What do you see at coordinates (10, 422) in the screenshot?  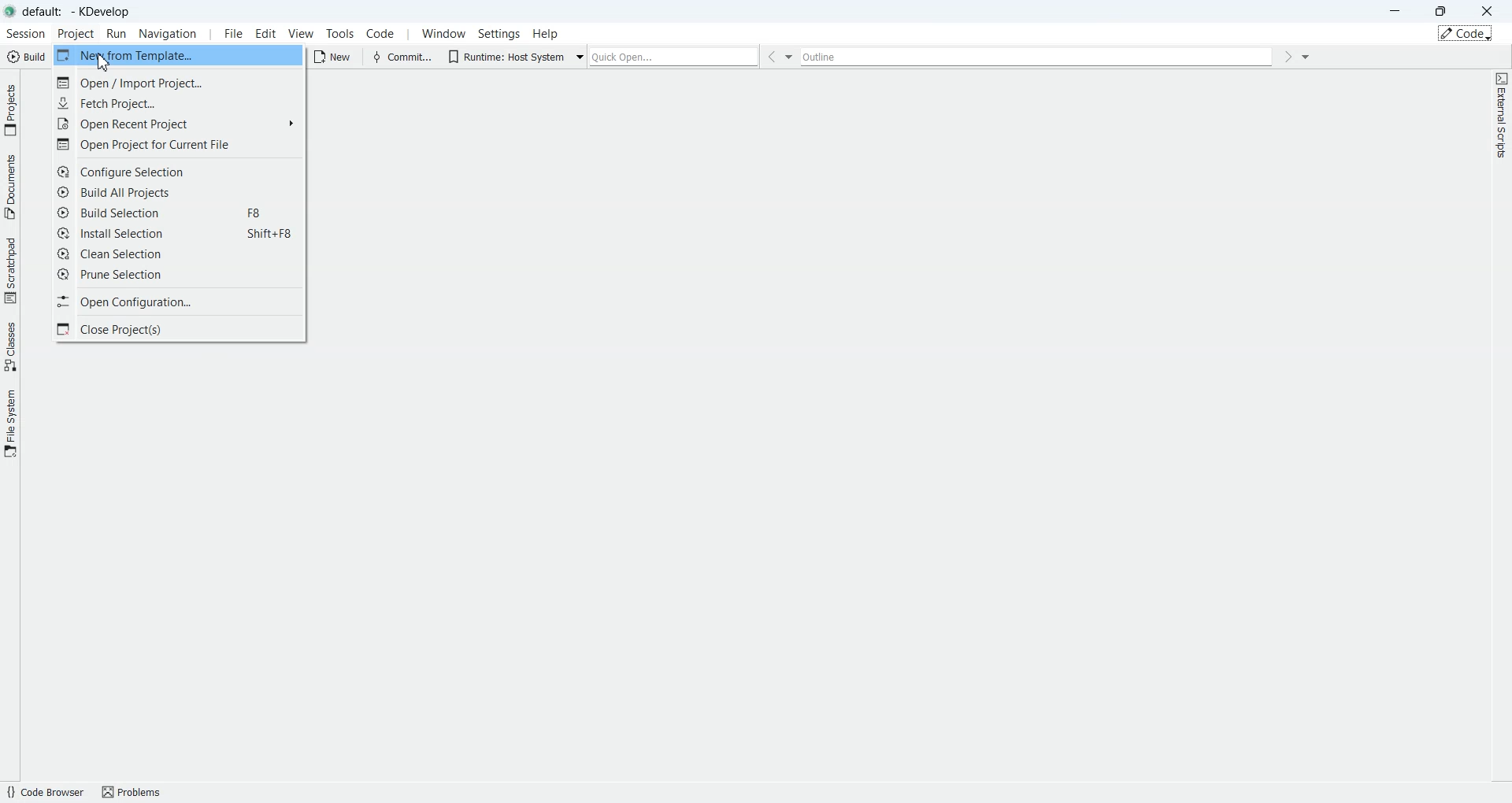 I see `File System` at bounding box center [10, 422].